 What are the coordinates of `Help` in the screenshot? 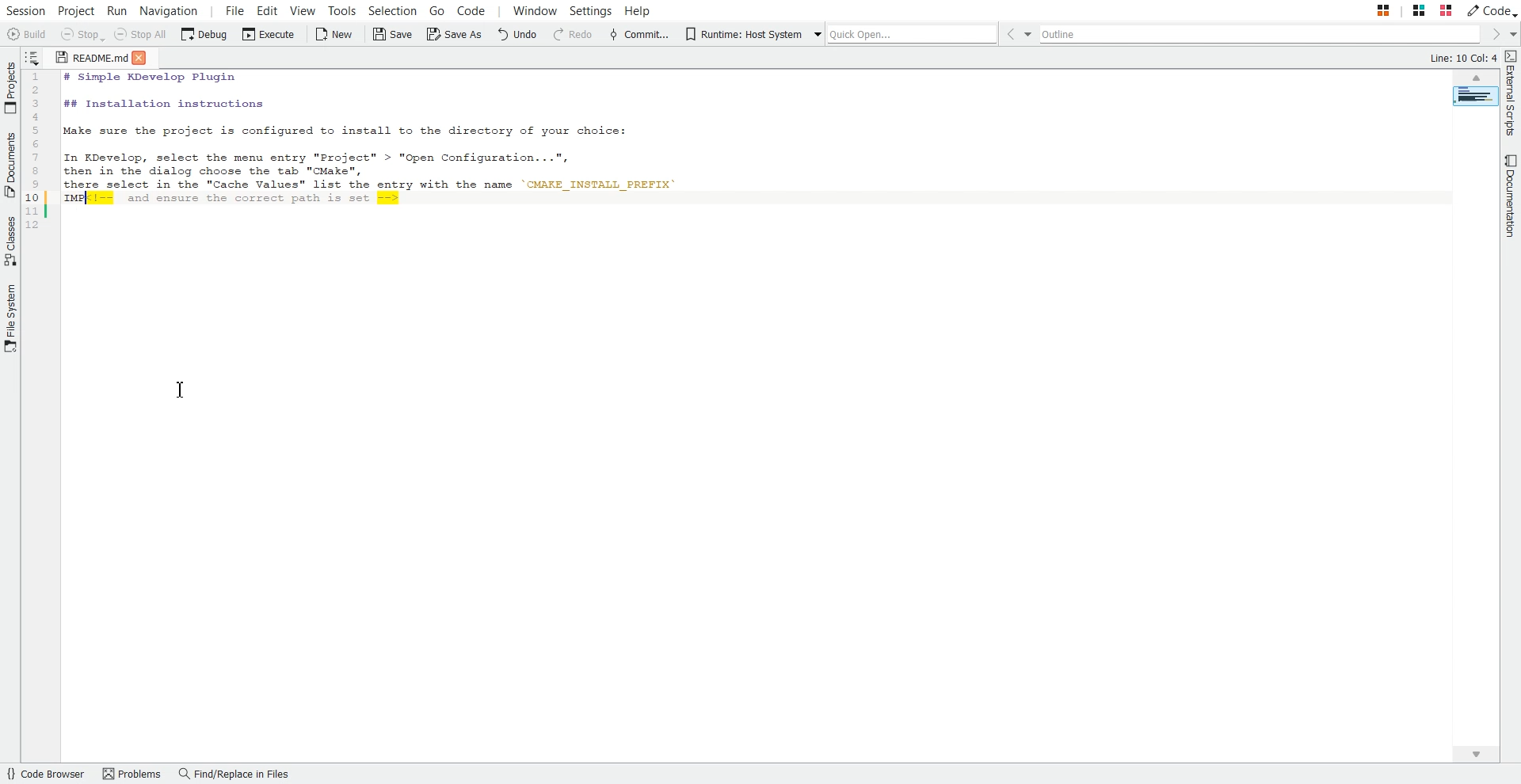 It's located at (638, 10).